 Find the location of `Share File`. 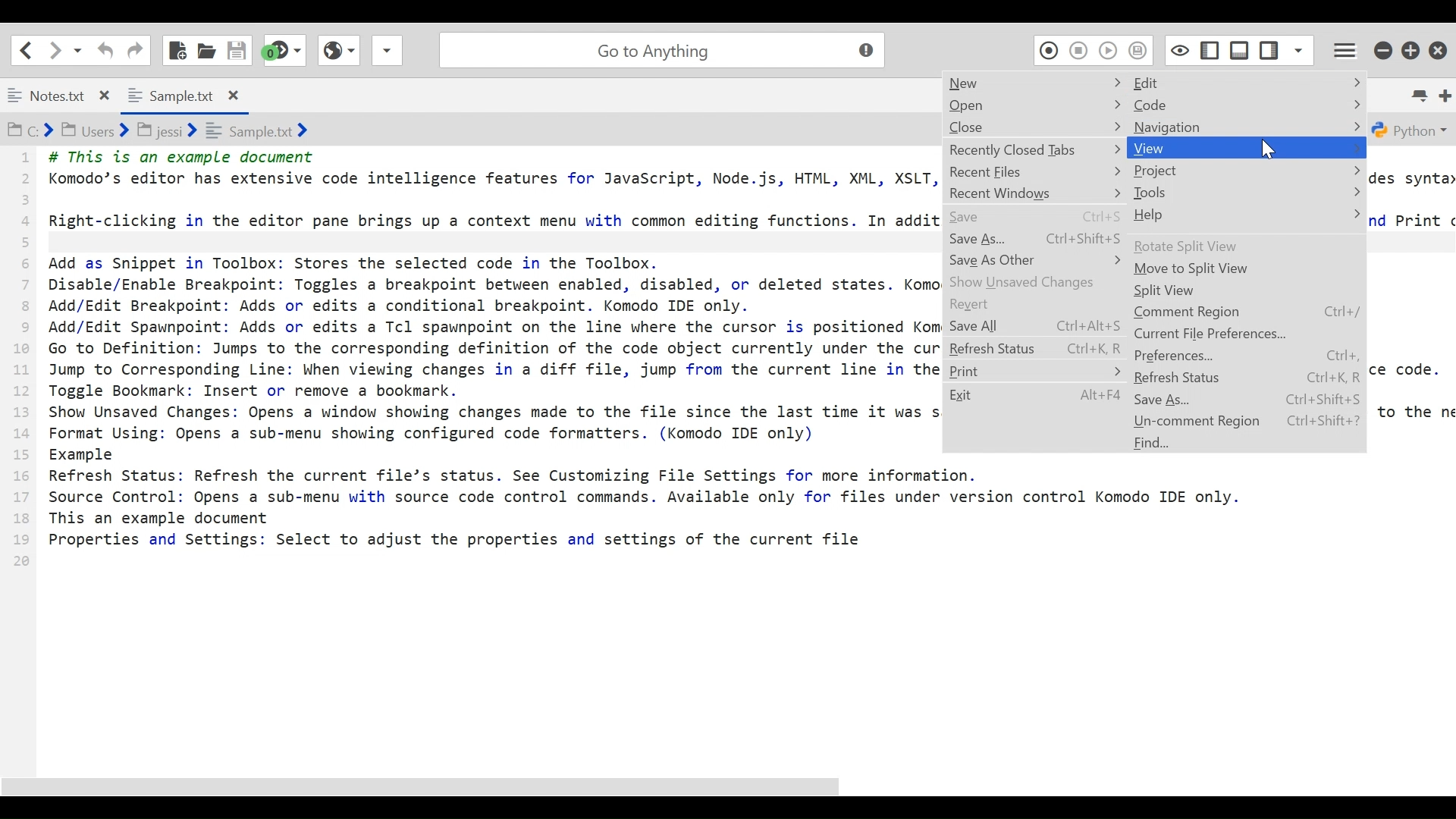

Share File is located at coordinates (385, 50).